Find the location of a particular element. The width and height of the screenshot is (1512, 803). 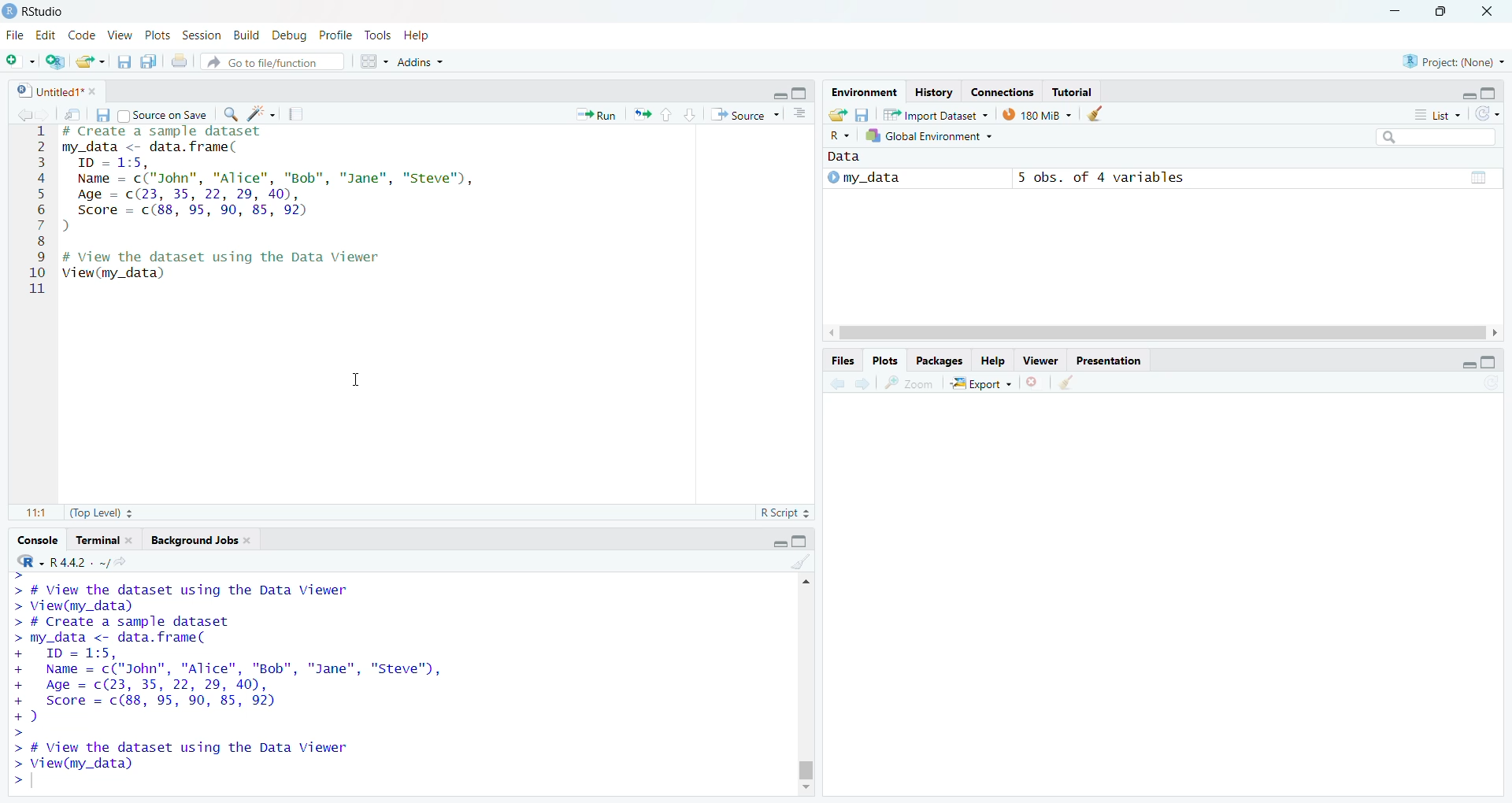

Pages is located at coordinates (1478, 178).